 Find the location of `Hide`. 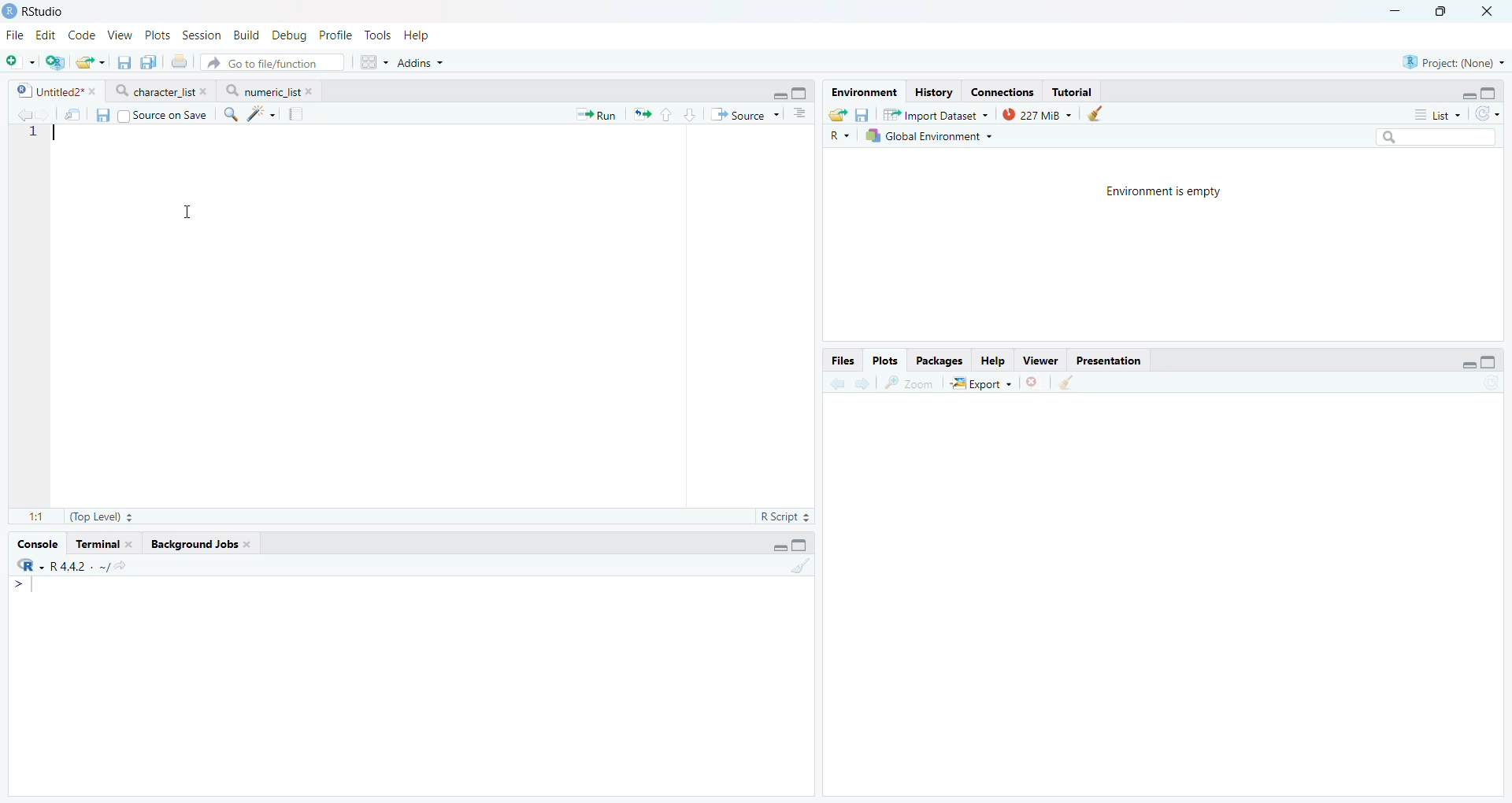

Hide is located at coordinates (778, 94).